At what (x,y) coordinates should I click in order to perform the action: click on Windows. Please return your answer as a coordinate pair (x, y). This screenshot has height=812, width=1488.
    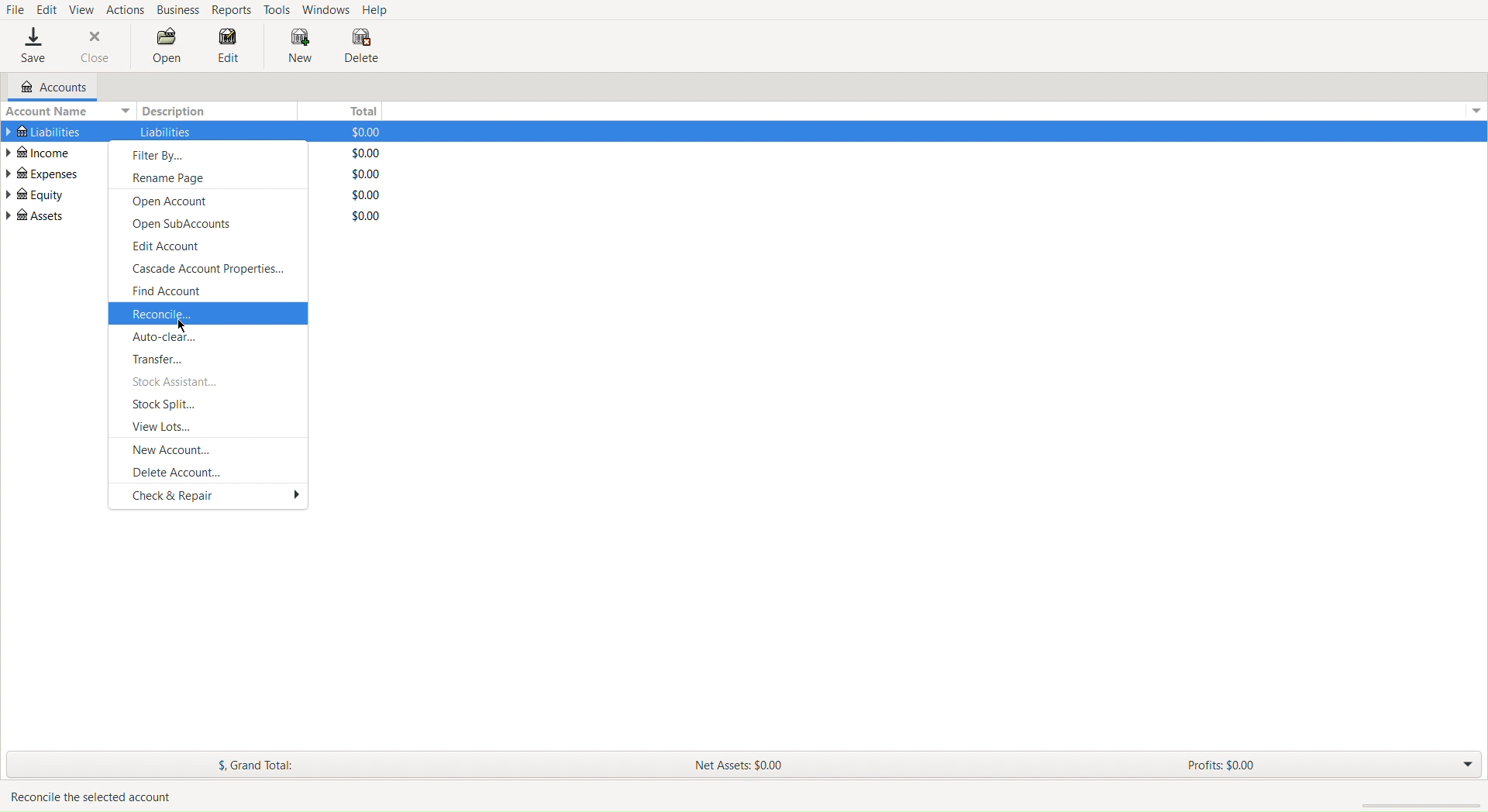
    Looking at the image, I should click on (328, 10).